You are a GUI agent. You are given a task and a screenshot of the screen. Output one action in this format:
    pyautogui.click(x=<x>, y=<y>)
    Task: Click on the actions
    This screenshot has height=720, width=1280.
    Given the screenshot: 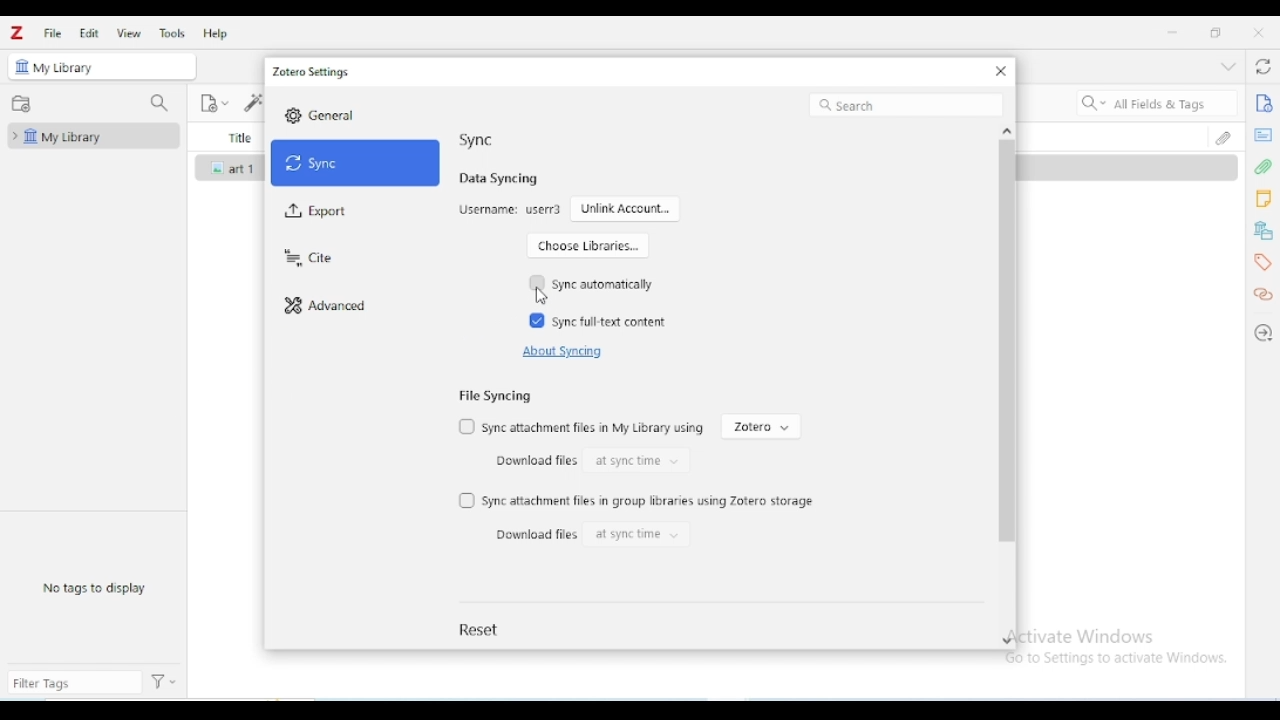 What is the action you would take?
    pyautogui.click(x=164, y=682)
    